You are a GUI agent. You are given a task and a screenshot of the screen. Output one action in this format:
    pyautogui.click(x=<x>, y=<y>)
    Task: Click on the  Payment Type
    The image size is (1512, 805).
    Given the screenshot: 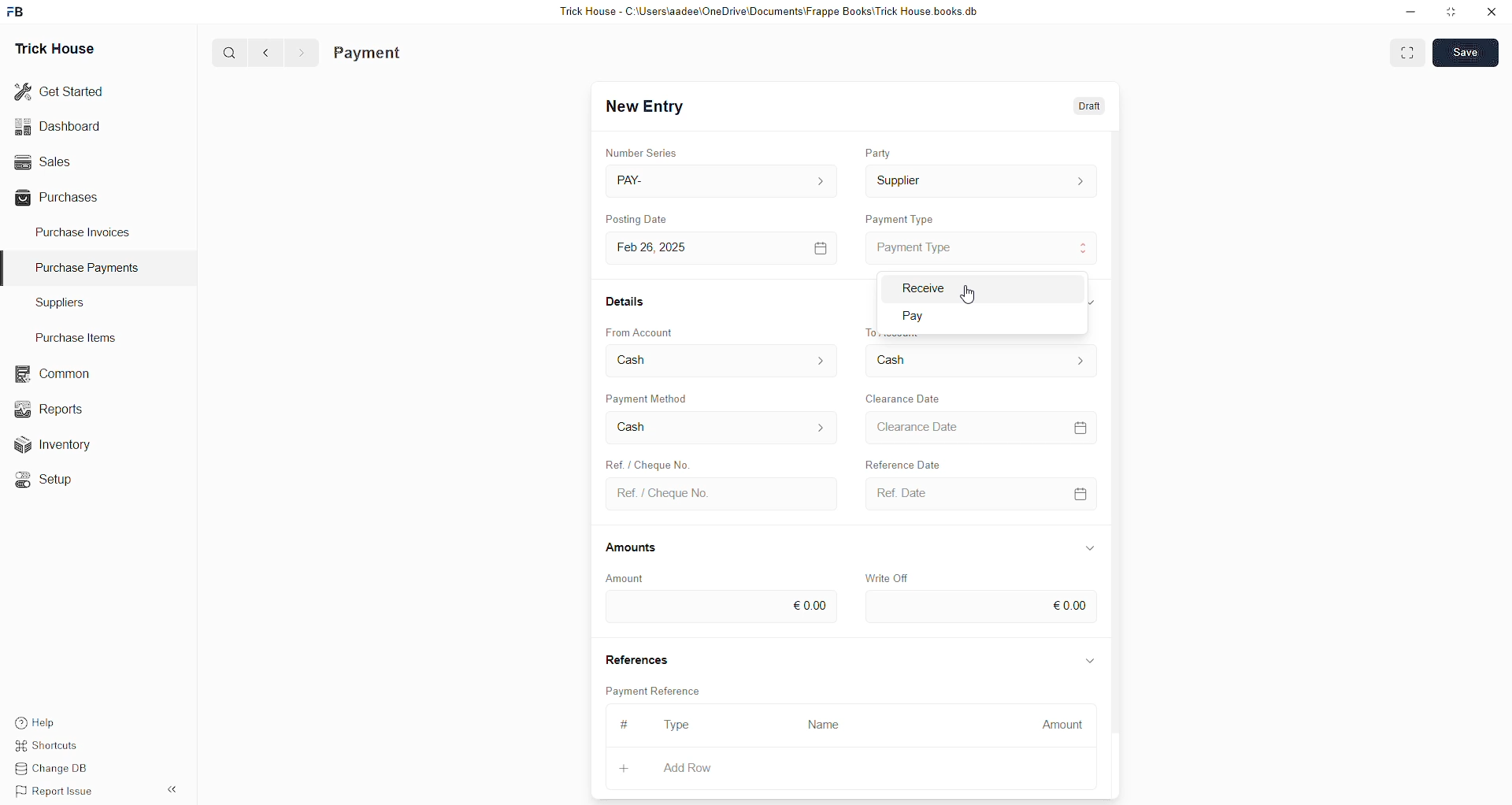 What is the action you would take?
    pyautogui.click(x=981, y=247)
    